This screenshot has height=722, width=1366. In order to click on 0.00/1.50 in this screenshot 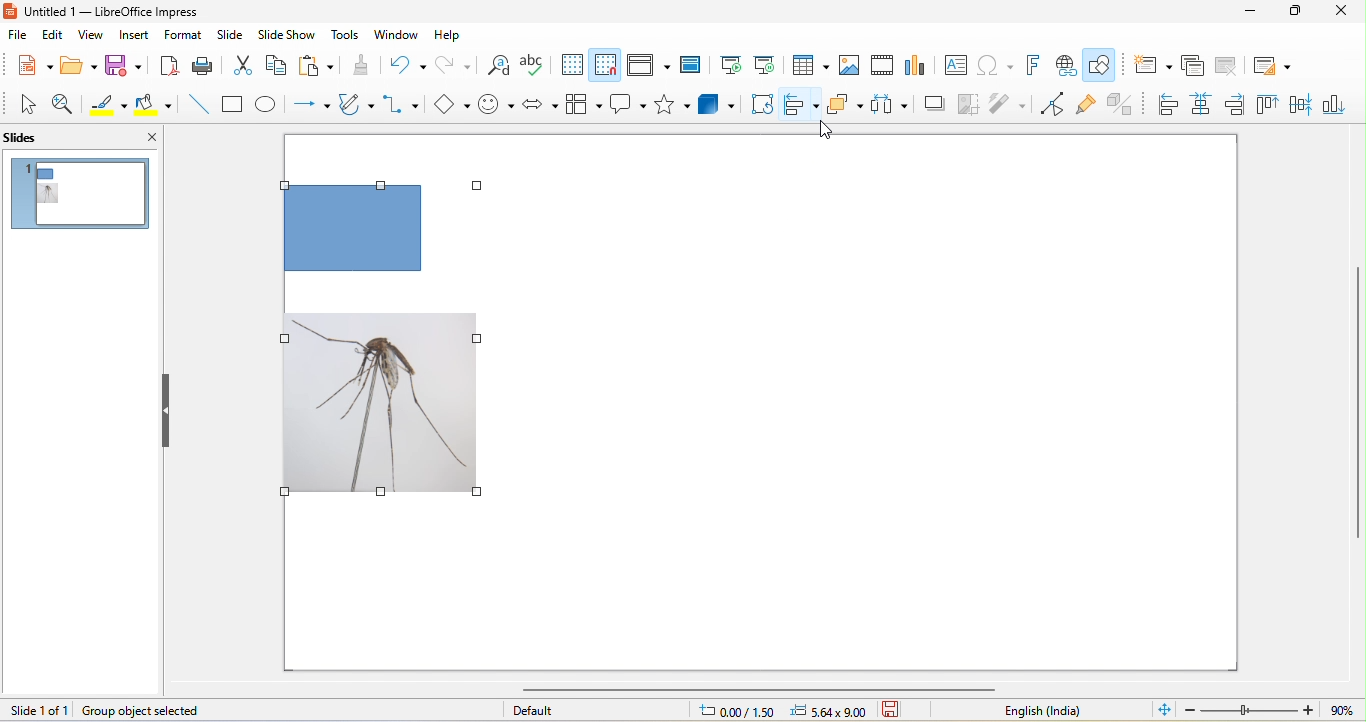, I will do `click(734, 710)`.